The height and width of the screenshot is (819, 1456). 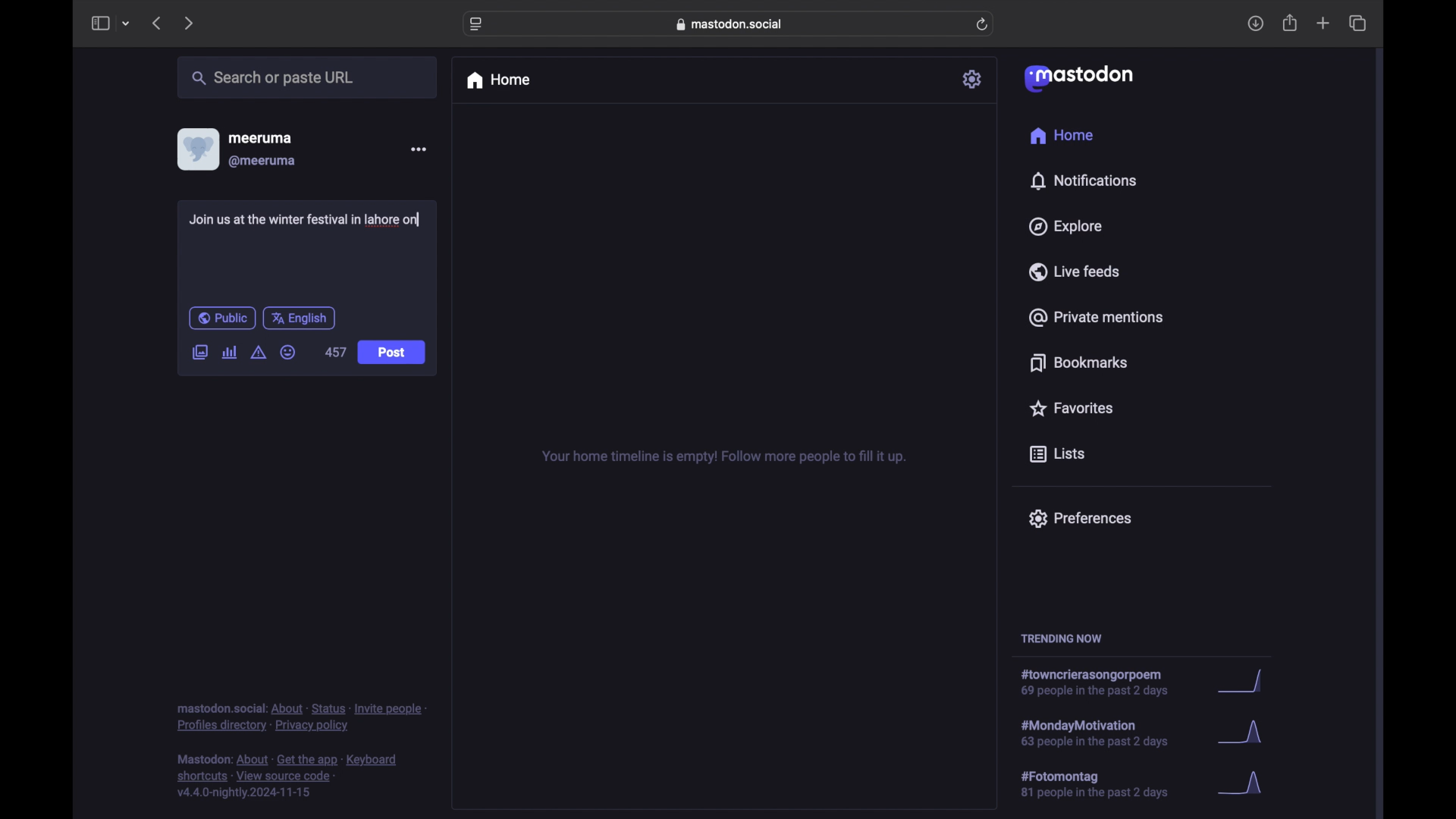 What do you see at coordinates (1075, 271) in the screenshot?
I see `live feeds` at bounding box center [1075, 271].